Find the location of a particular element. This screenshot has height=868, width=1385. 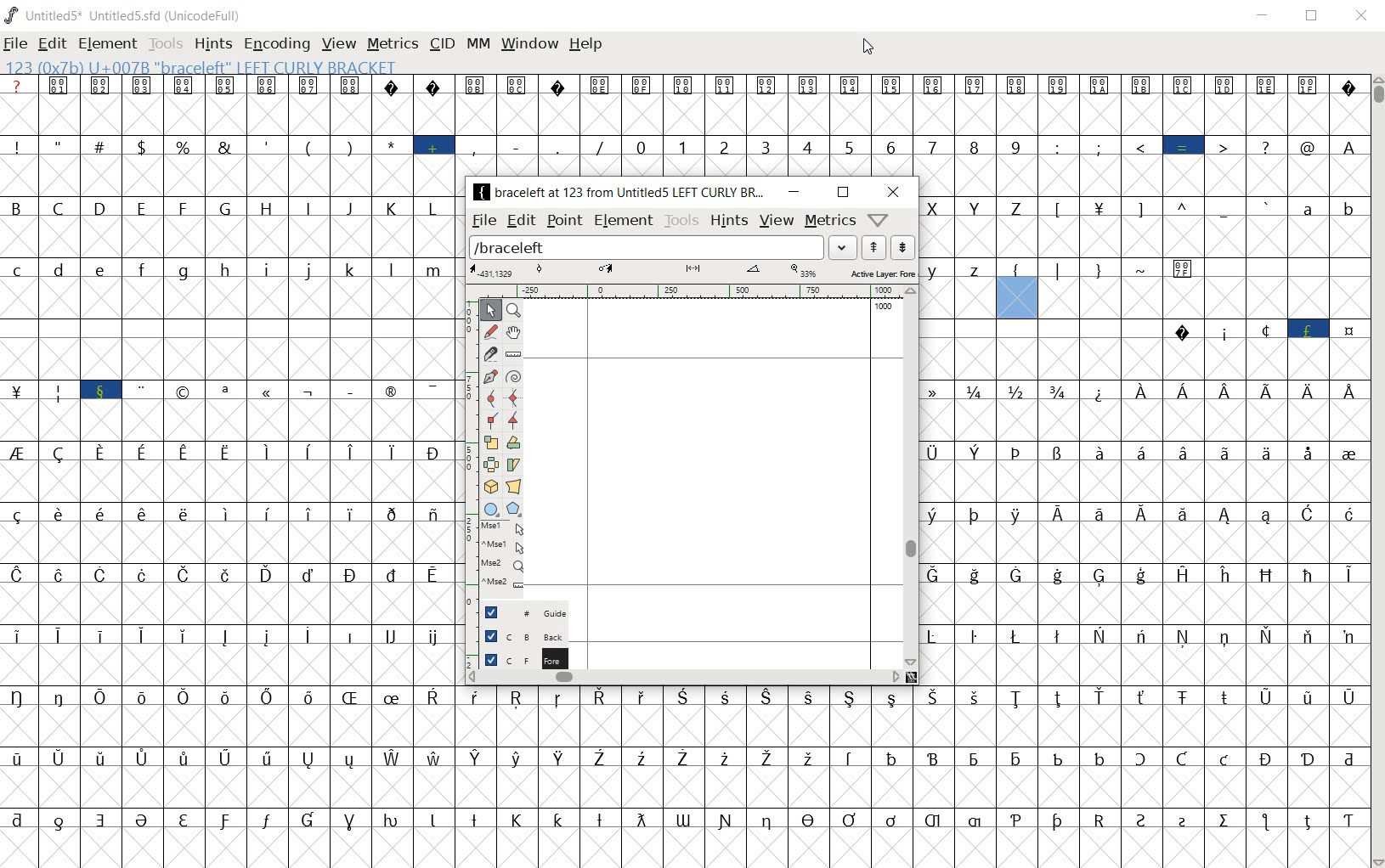

ruler is located at coordinates (698, 290).